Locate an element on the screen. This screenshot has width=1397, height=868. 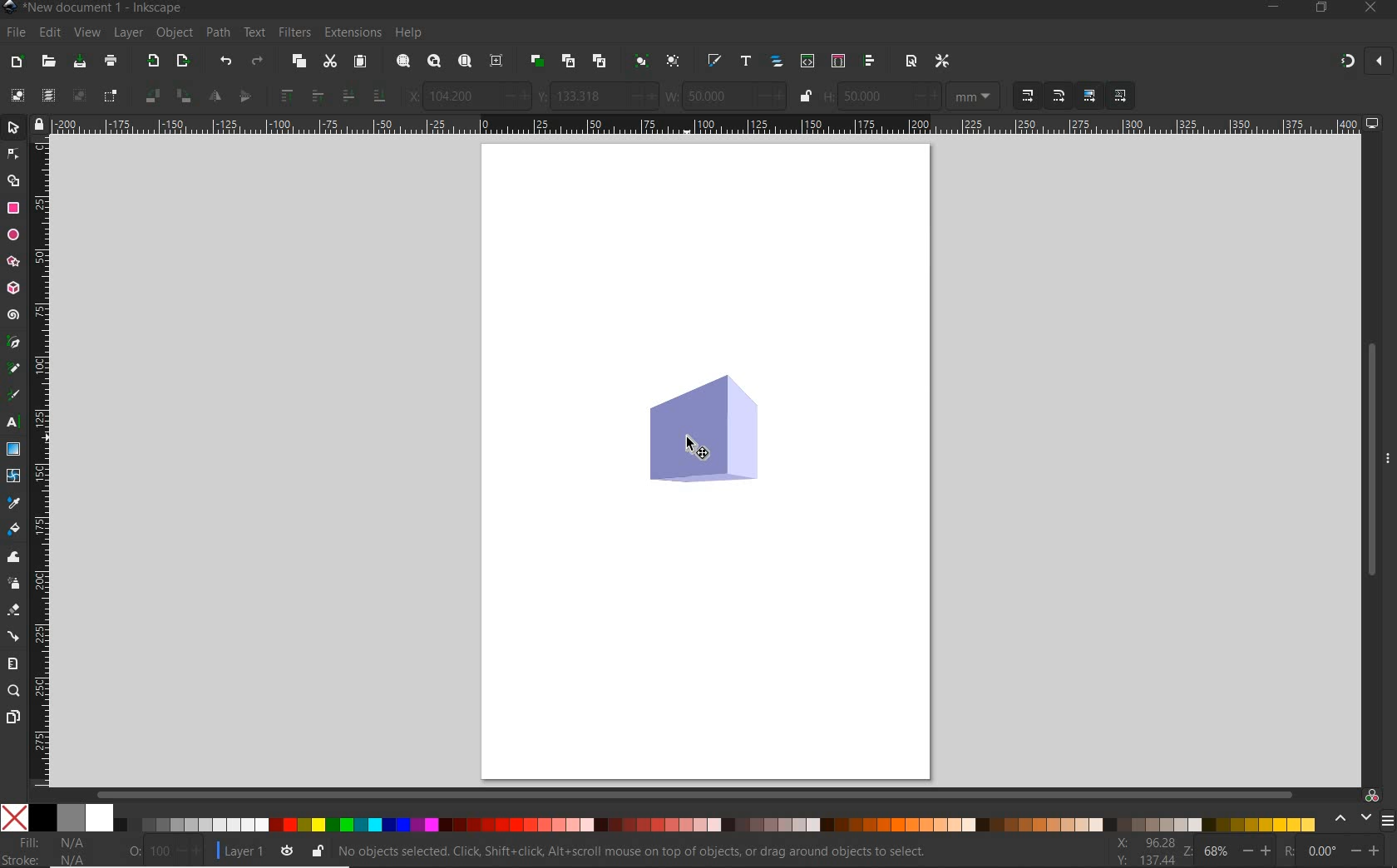
import is located at coordinates (152, 61).